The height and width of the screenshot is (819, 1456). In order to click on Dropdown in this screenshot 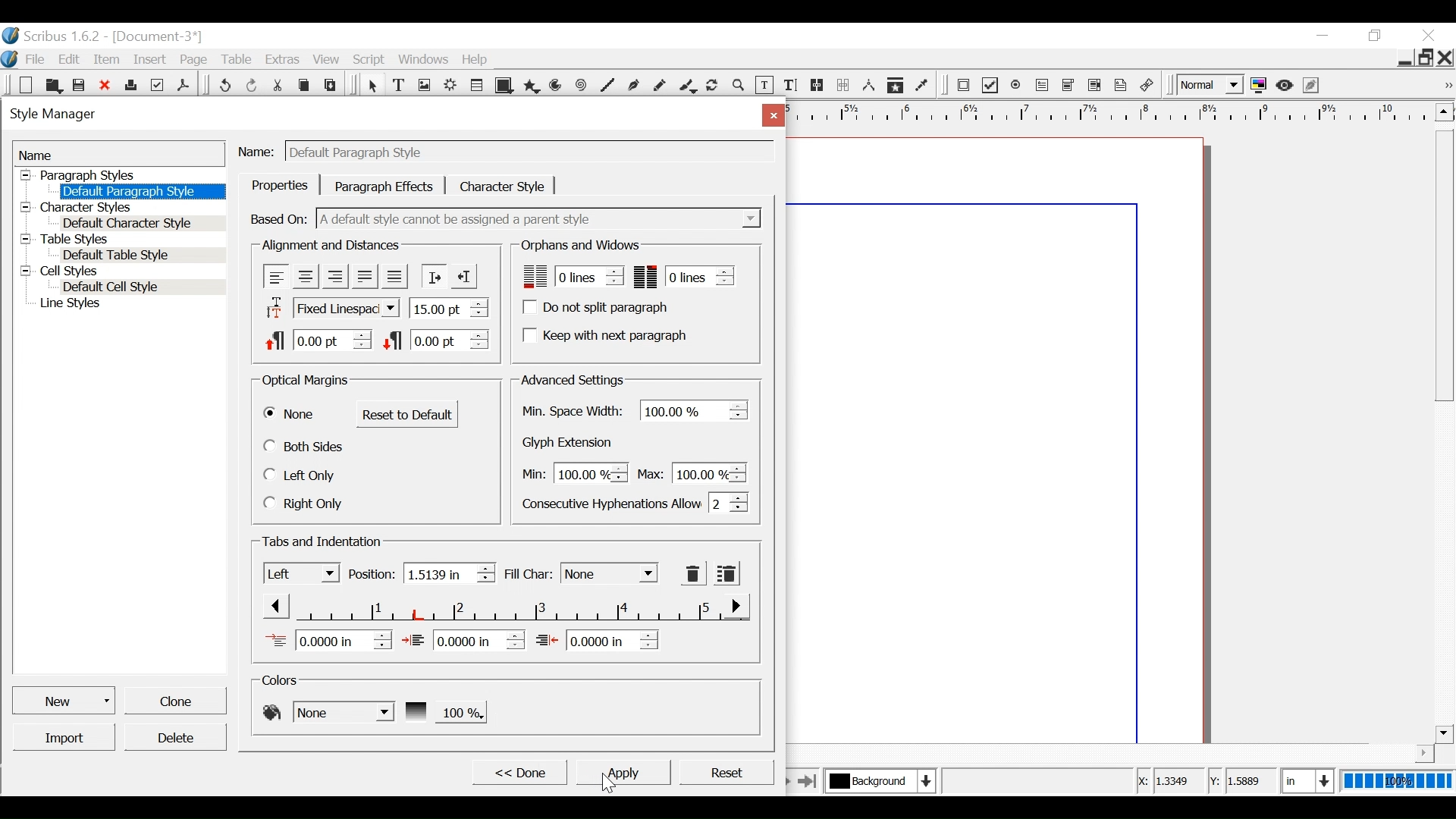, I will do `click(541, 218)`.